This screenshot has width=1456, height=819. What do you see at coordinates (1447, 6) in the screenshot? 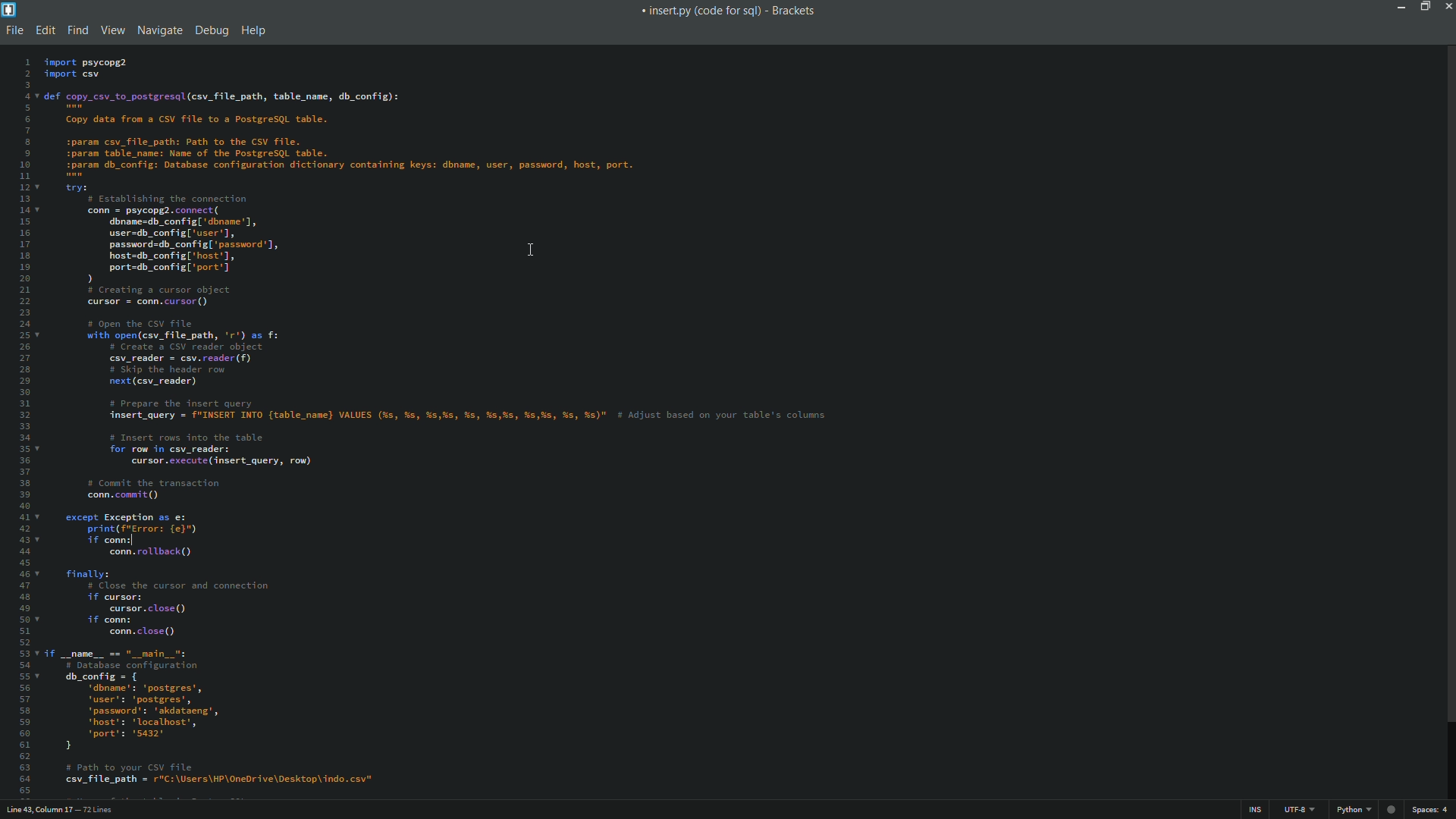
I see `close app` at bounding box center [1447, 6].